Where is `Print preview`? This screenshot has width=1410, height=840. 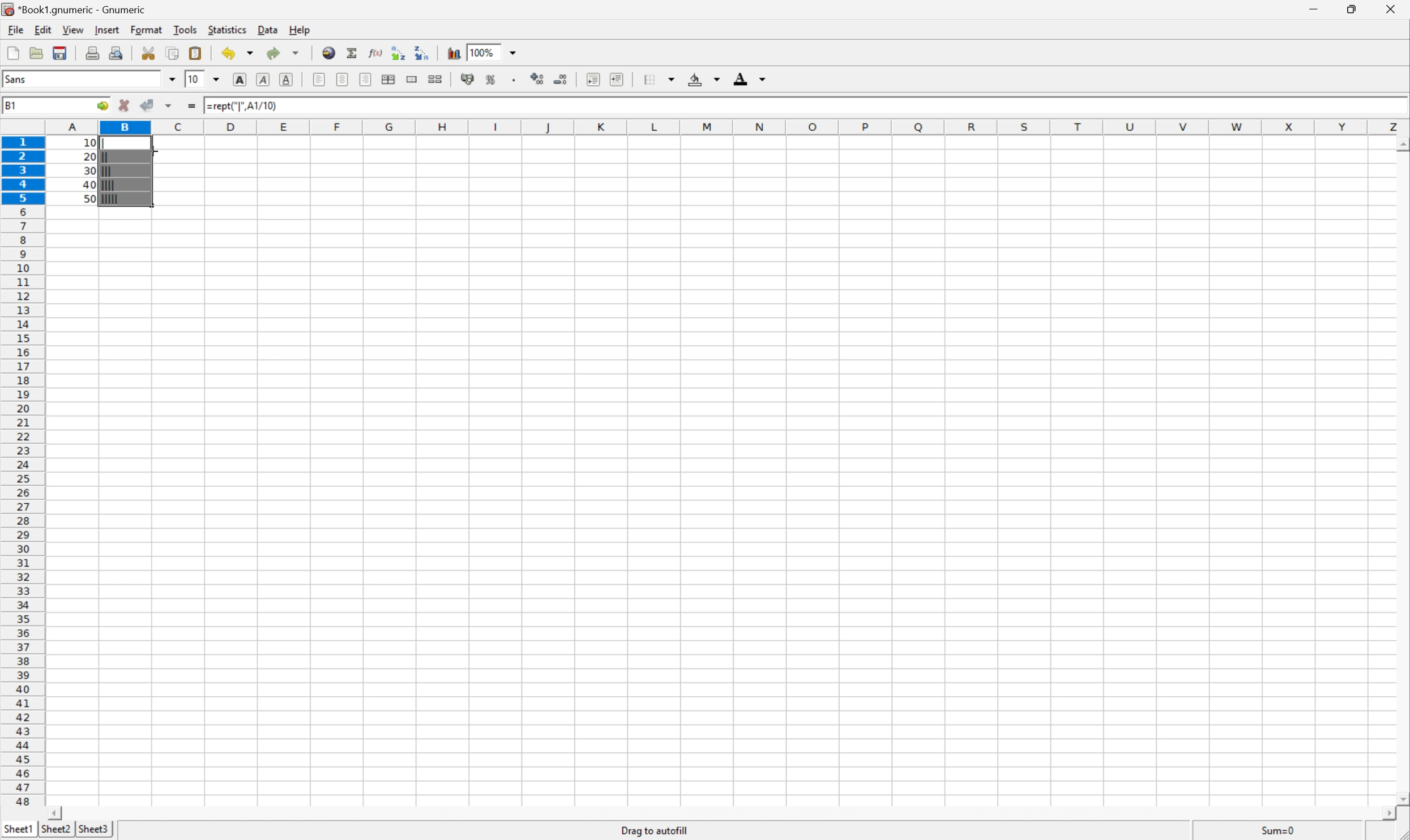 Print preview is located at coordinates (117, 52).